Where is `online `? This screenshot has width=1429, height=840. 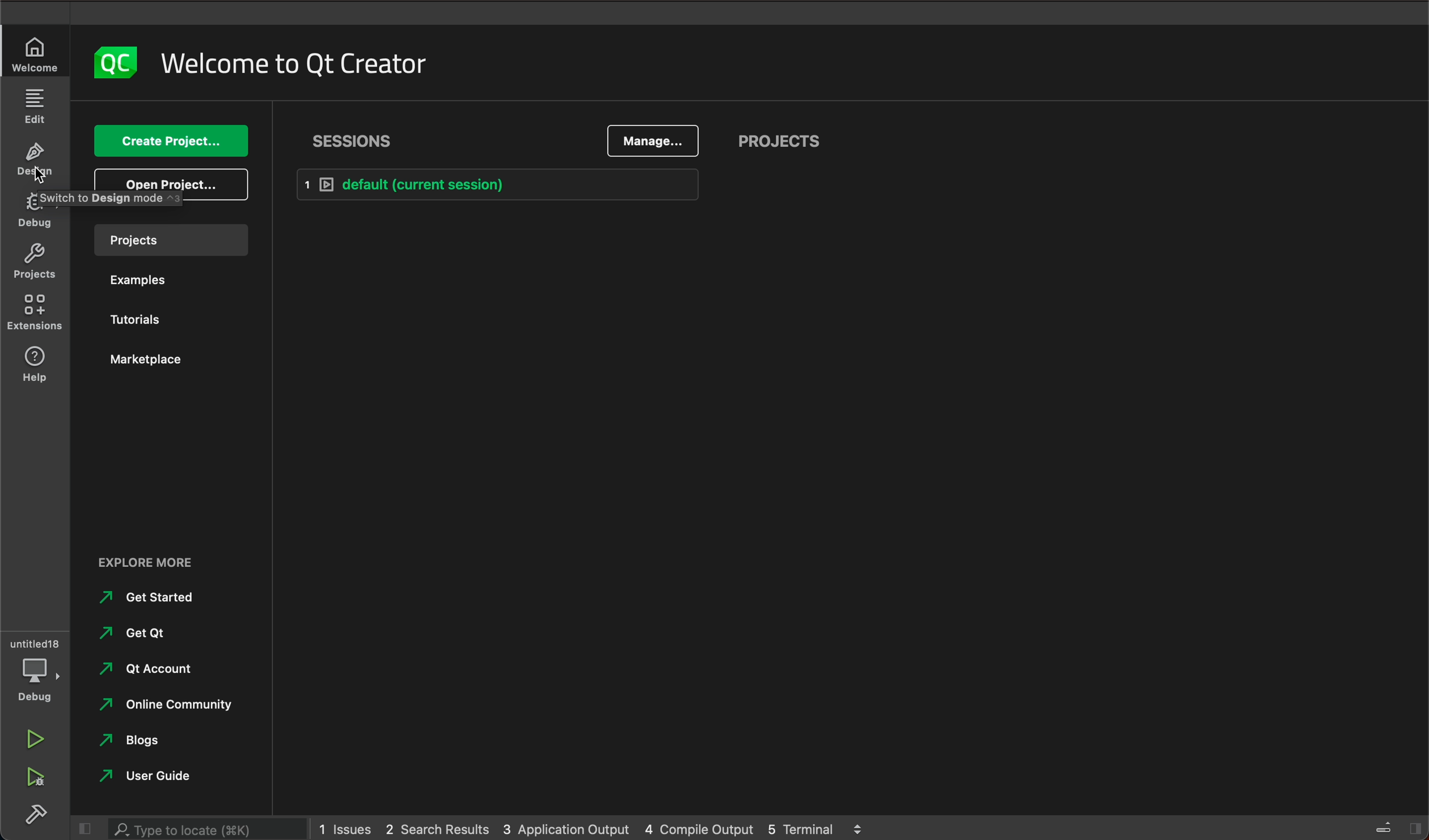 online  is located at coordinates (174, 707).